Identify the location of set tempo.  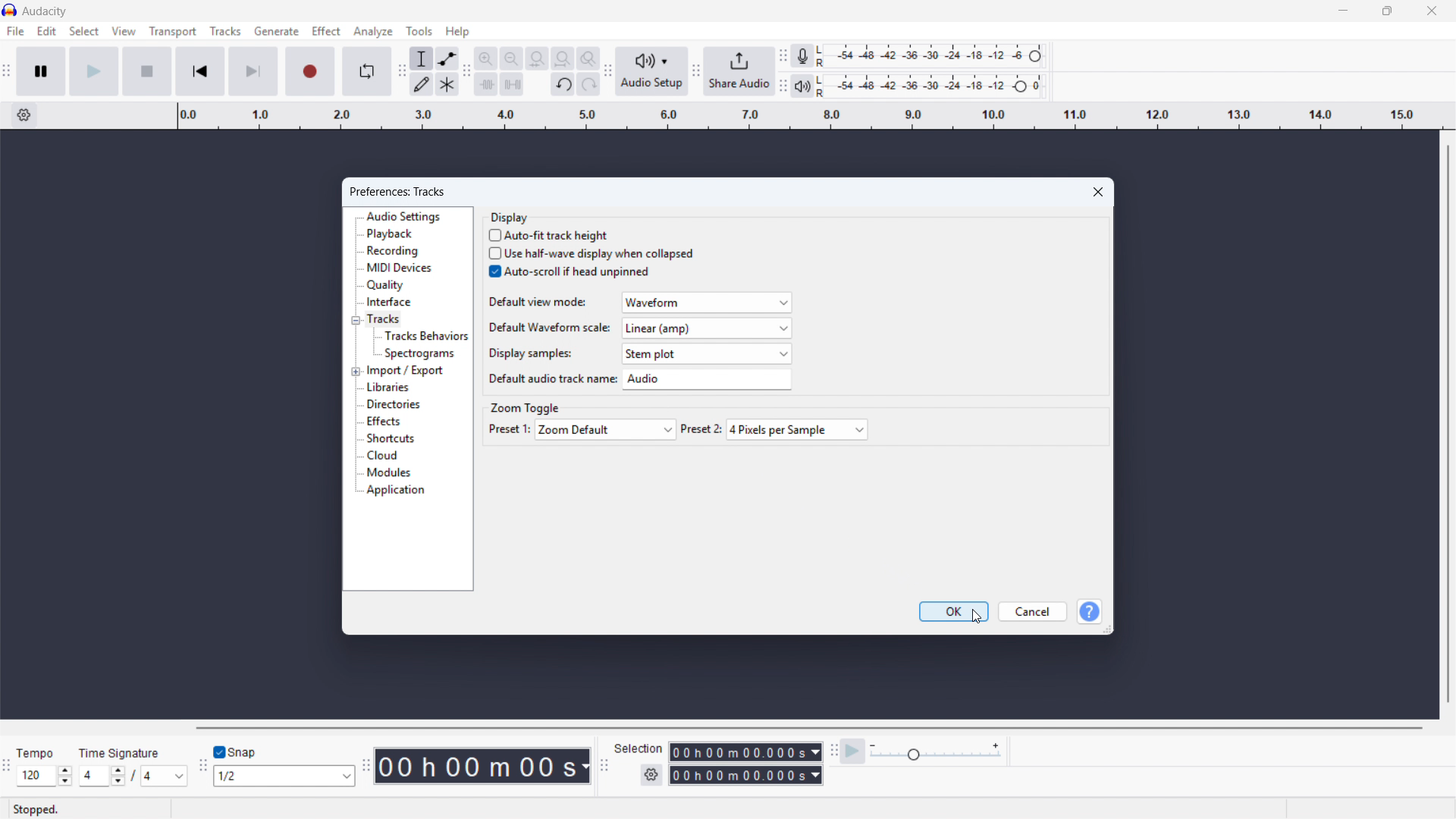
(44, 766).